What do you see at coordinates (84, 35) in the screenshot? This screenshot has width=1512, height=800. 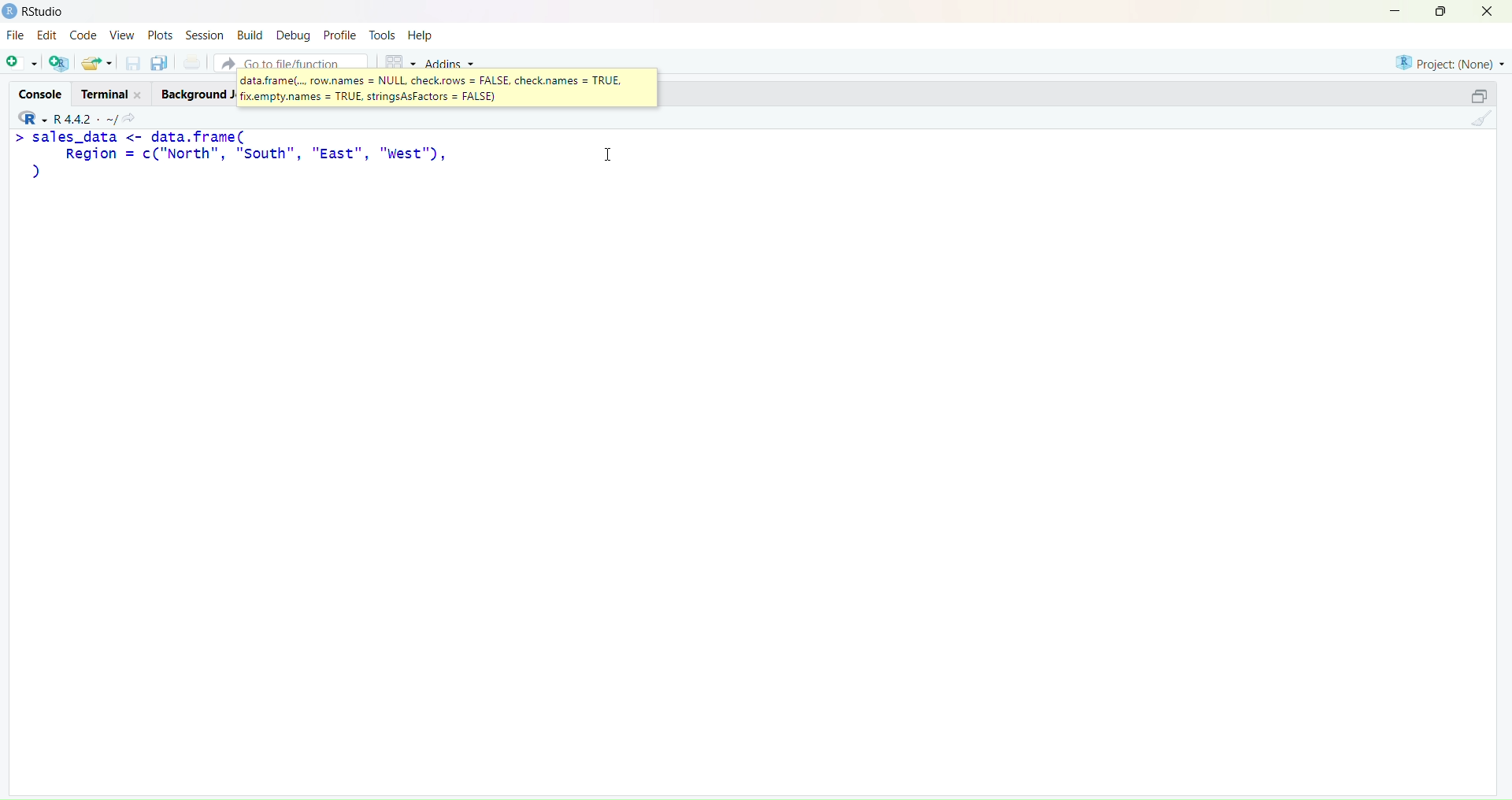 I see `Code` at bounding box center [84, 35].